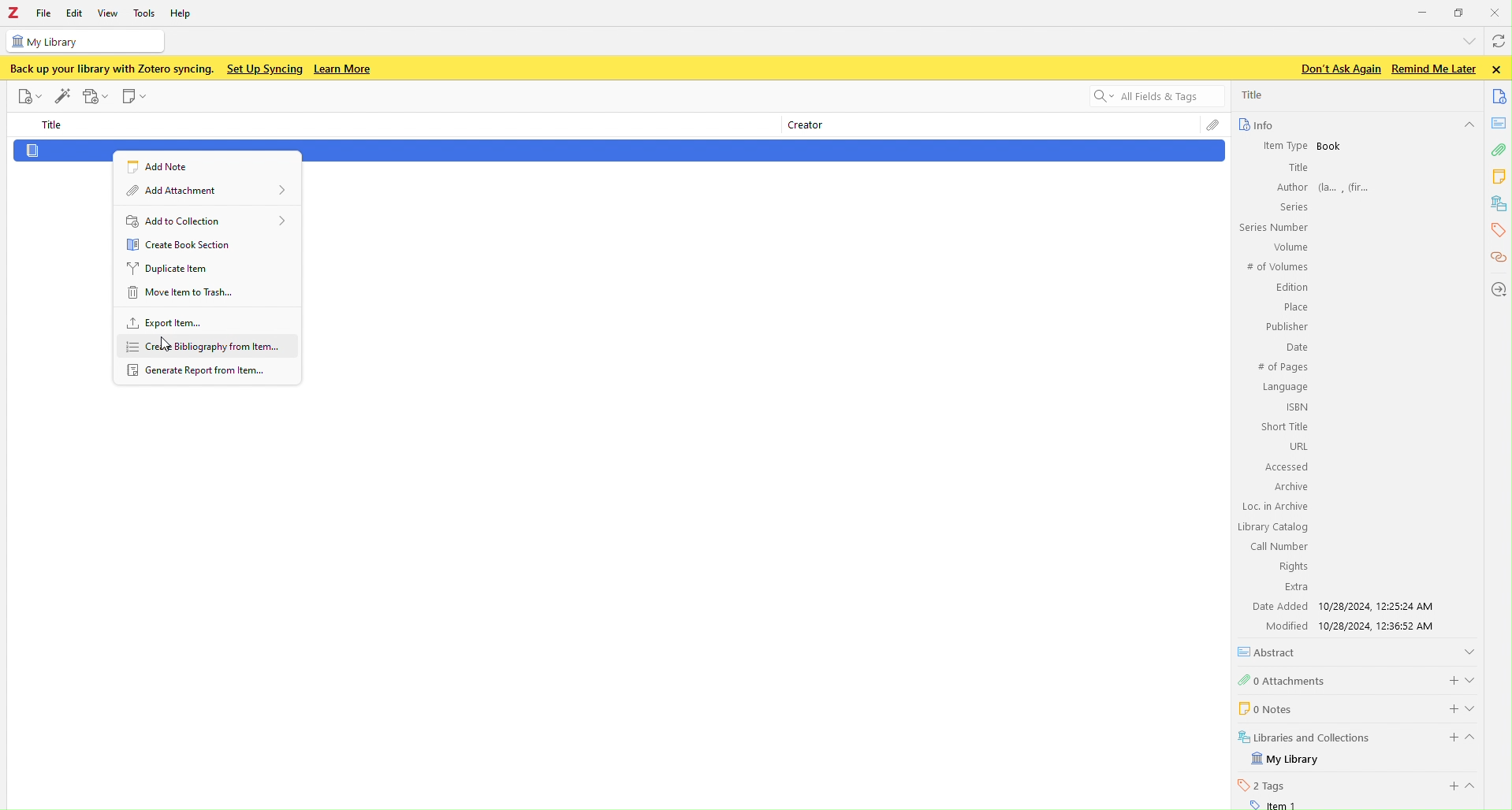 The width and height of the screenshot is (1512, 810). Describe the element at coordinates (207, 347) in the screenshot. I see `create bibliography` at that location.